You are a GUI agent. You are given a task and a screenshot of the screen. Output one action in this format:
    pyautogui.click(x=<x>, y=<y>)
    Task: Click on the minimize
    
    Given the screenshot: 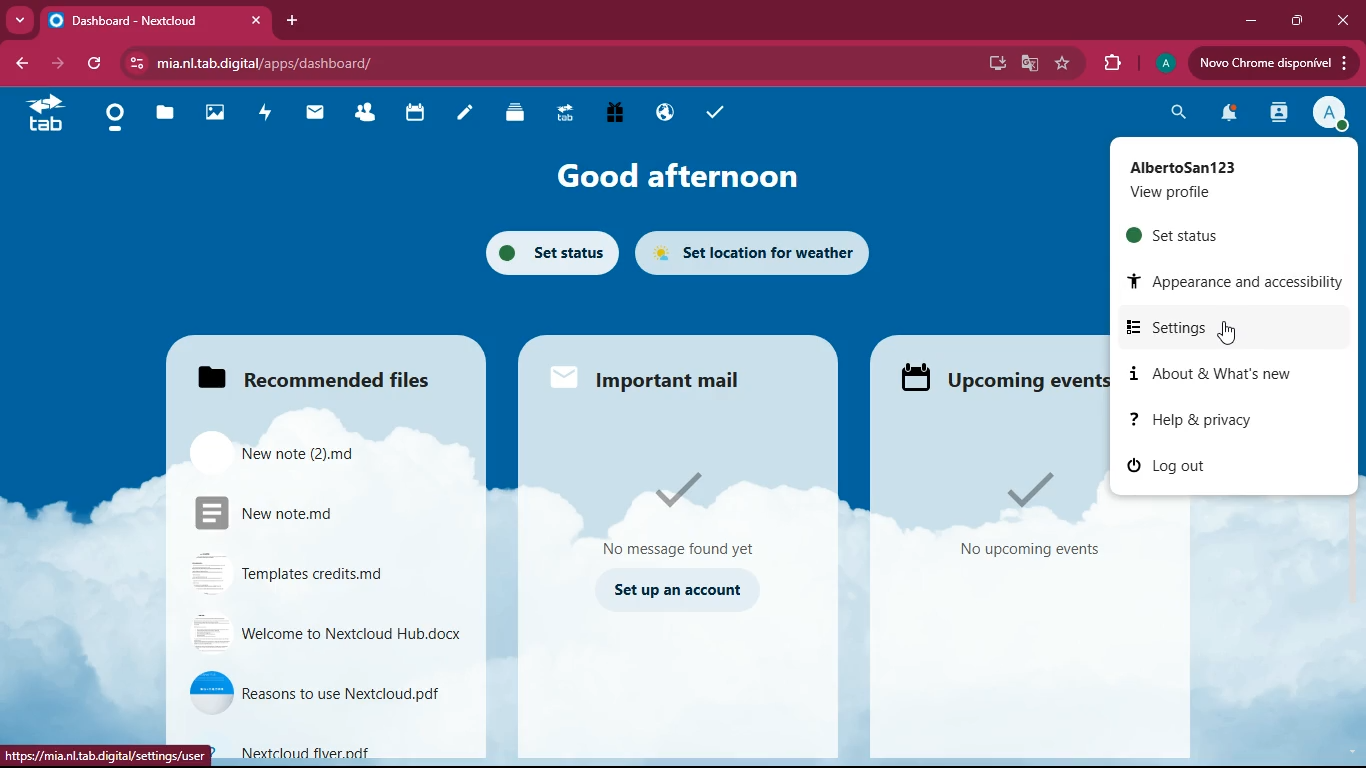 What is the action you would take?
    pyautogui.click(x=1246, y=20)
    